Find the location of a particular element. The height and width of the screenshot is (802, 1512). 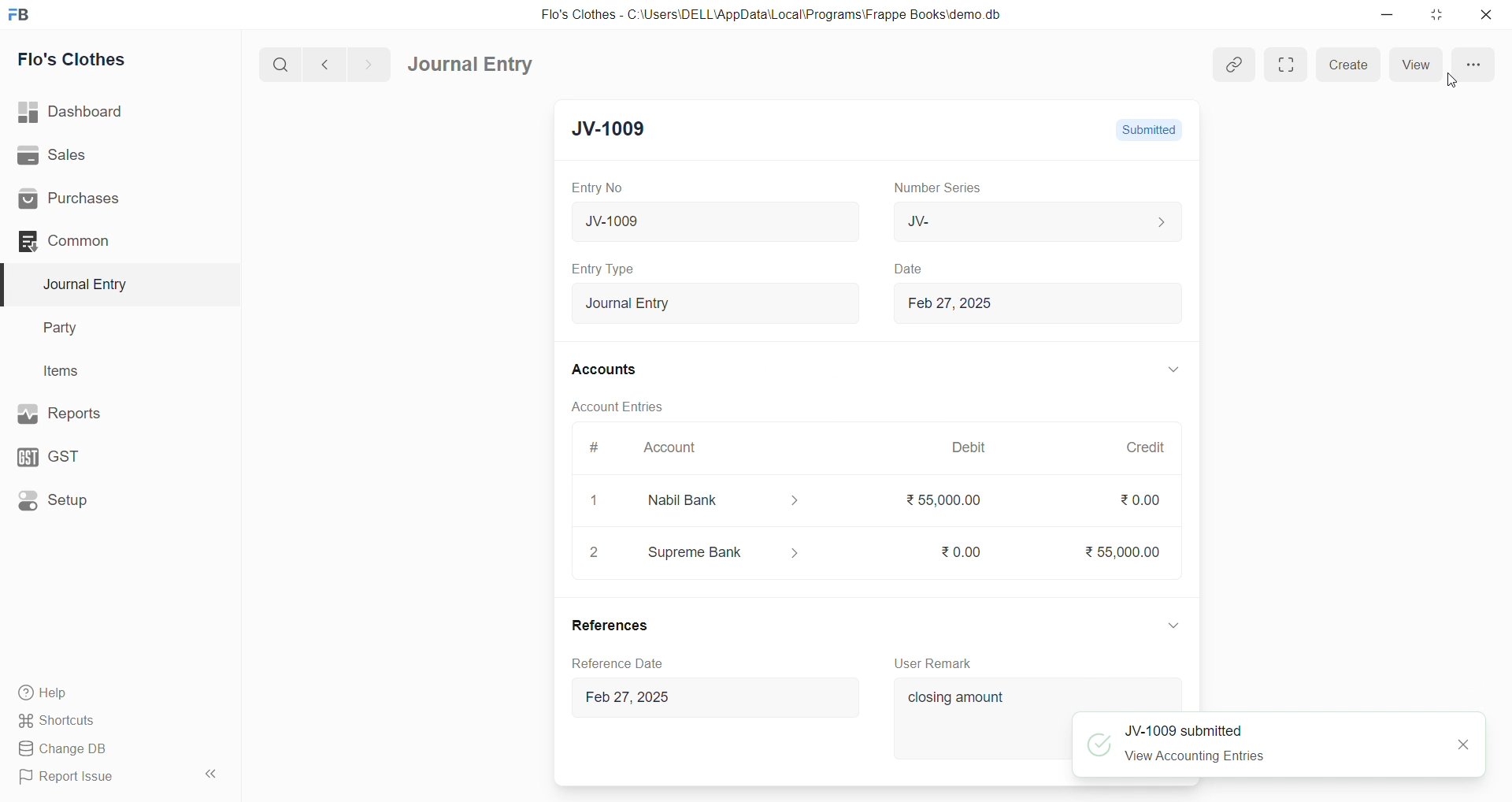

JV-1009 submitted is located at coordinates (1183, 727).